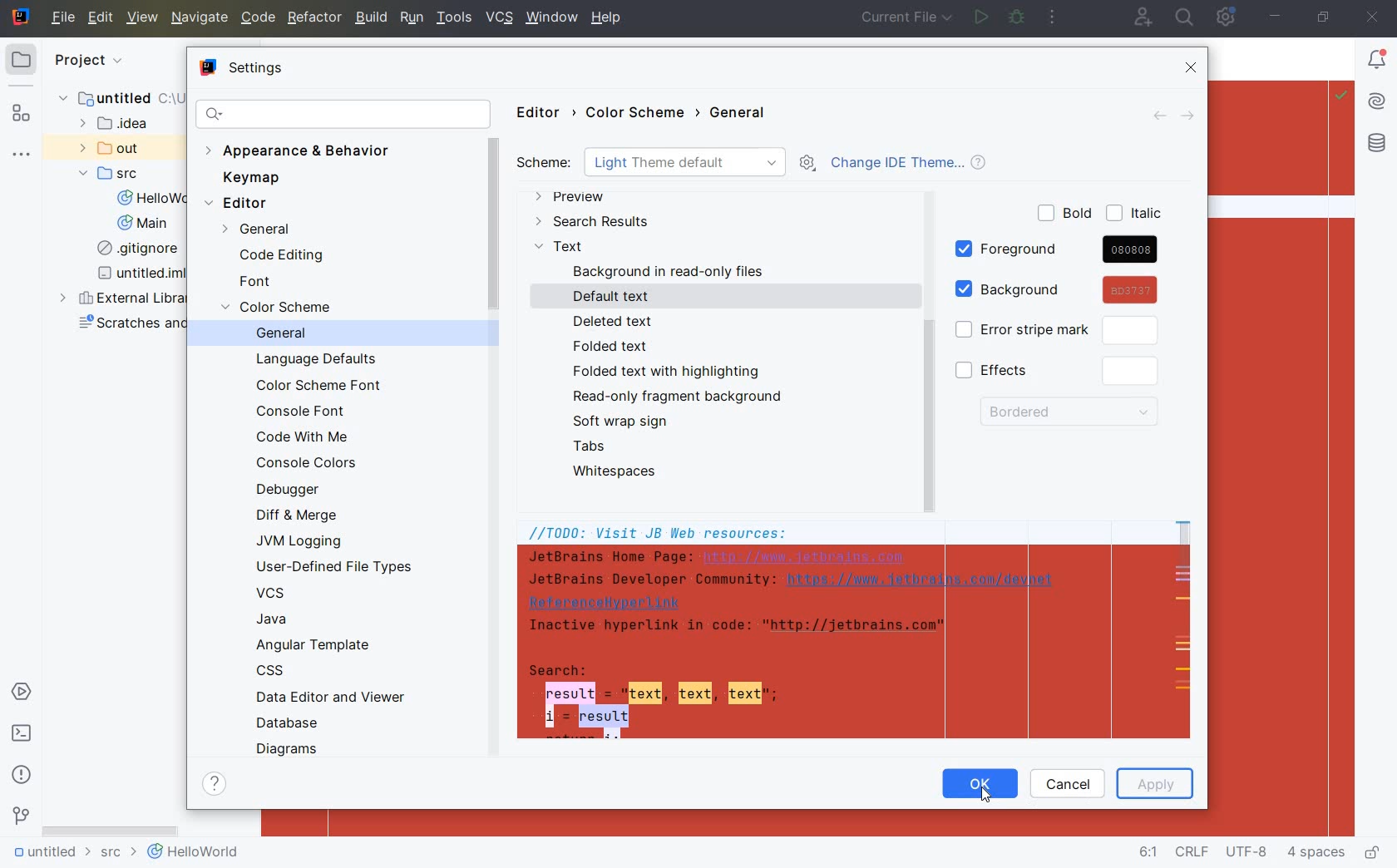  What do you see at coordinates (908, 18) in the screenshot?
I see `current file` at bounding box center [908, 18].